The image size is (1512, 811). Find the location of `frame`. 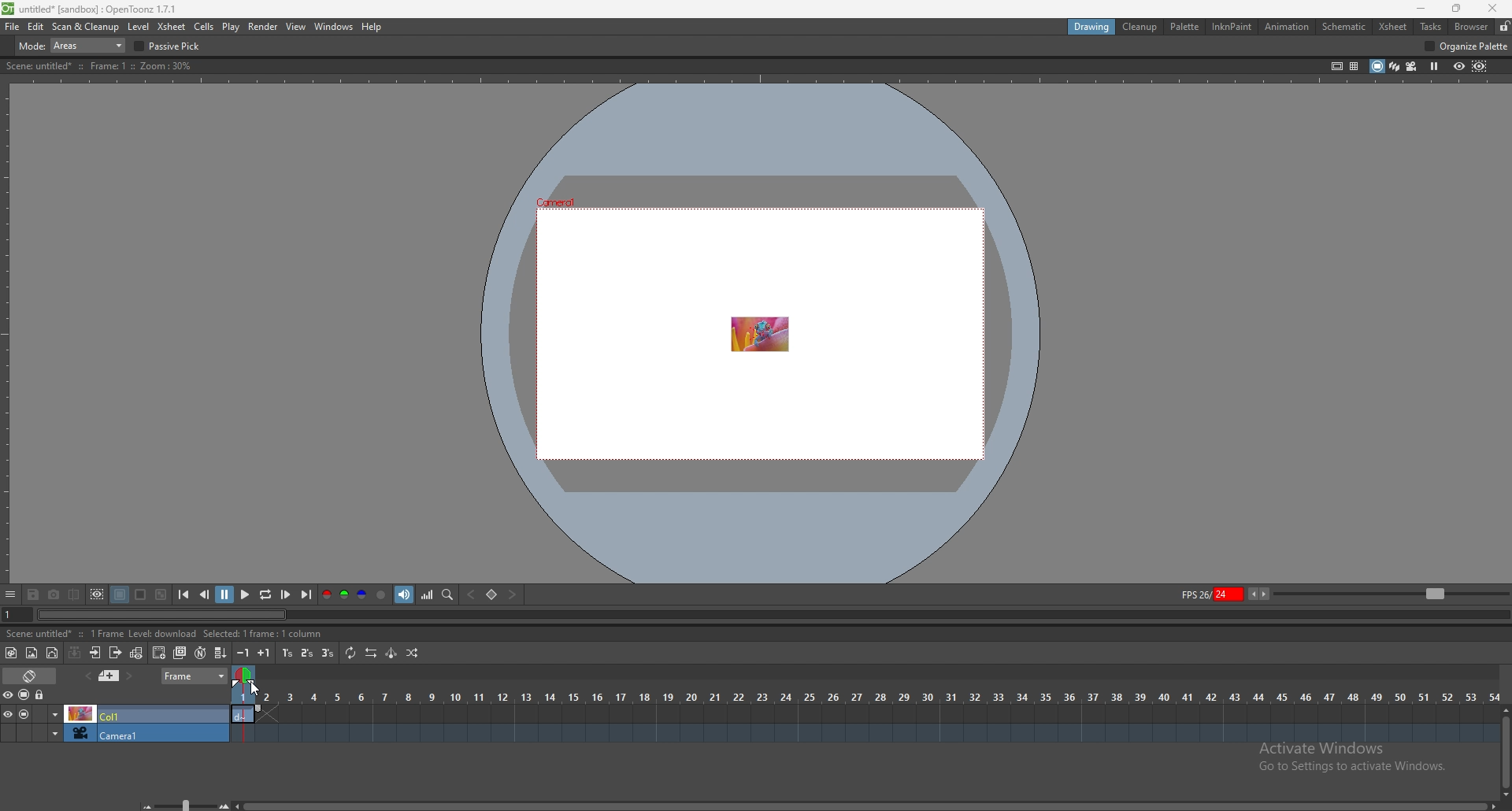

frame is located at coordinates (195, 676).